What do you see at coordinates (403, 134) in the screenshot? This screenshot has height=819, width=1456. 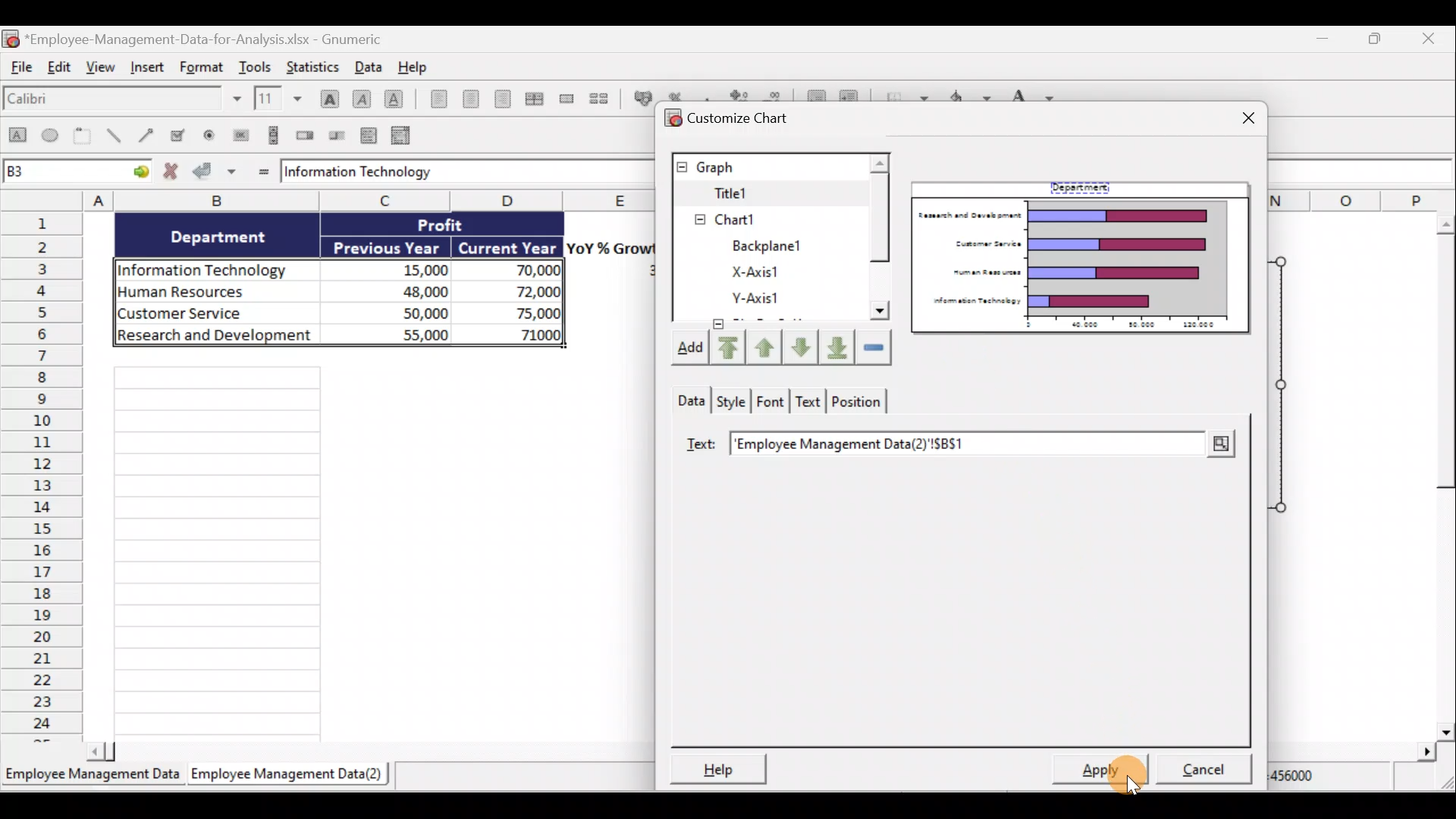 I see `Create a combo box` at bounding box center [403, 134].